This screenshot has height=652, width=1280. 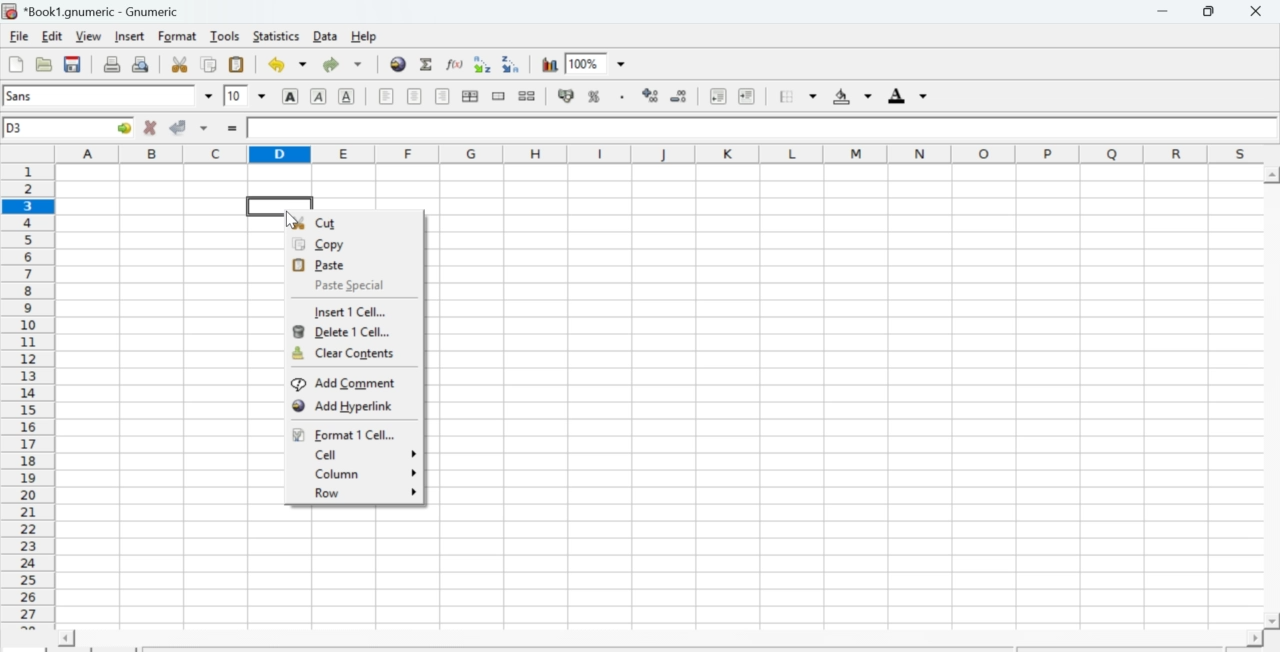 What do you see at coordinates (470, 97) in the screenshot?
I see `Center horizontally` at bounding box center [470, 97].